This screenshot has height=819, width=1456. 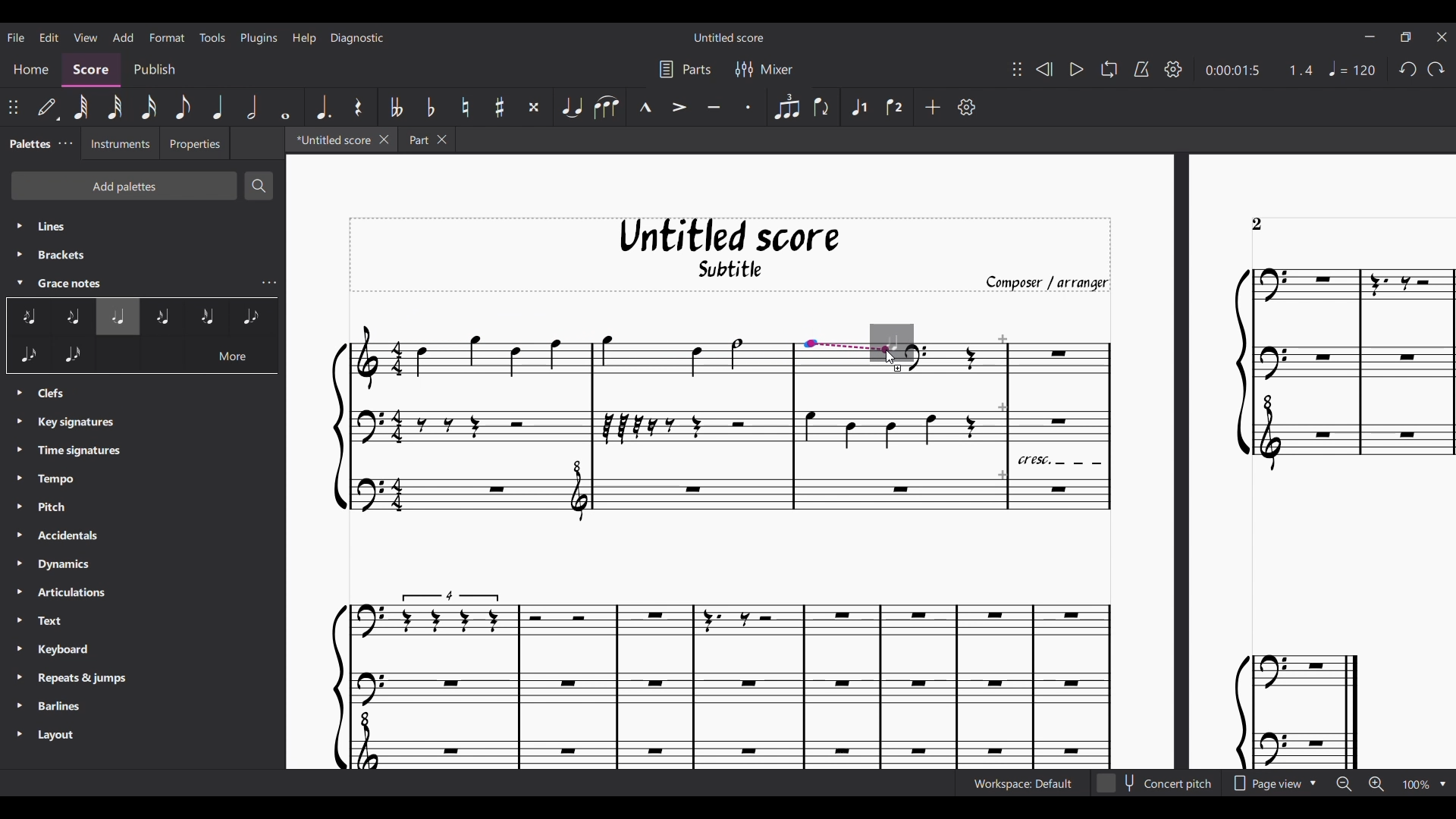 I want to click on Search palette, so click(x=259, y=186).